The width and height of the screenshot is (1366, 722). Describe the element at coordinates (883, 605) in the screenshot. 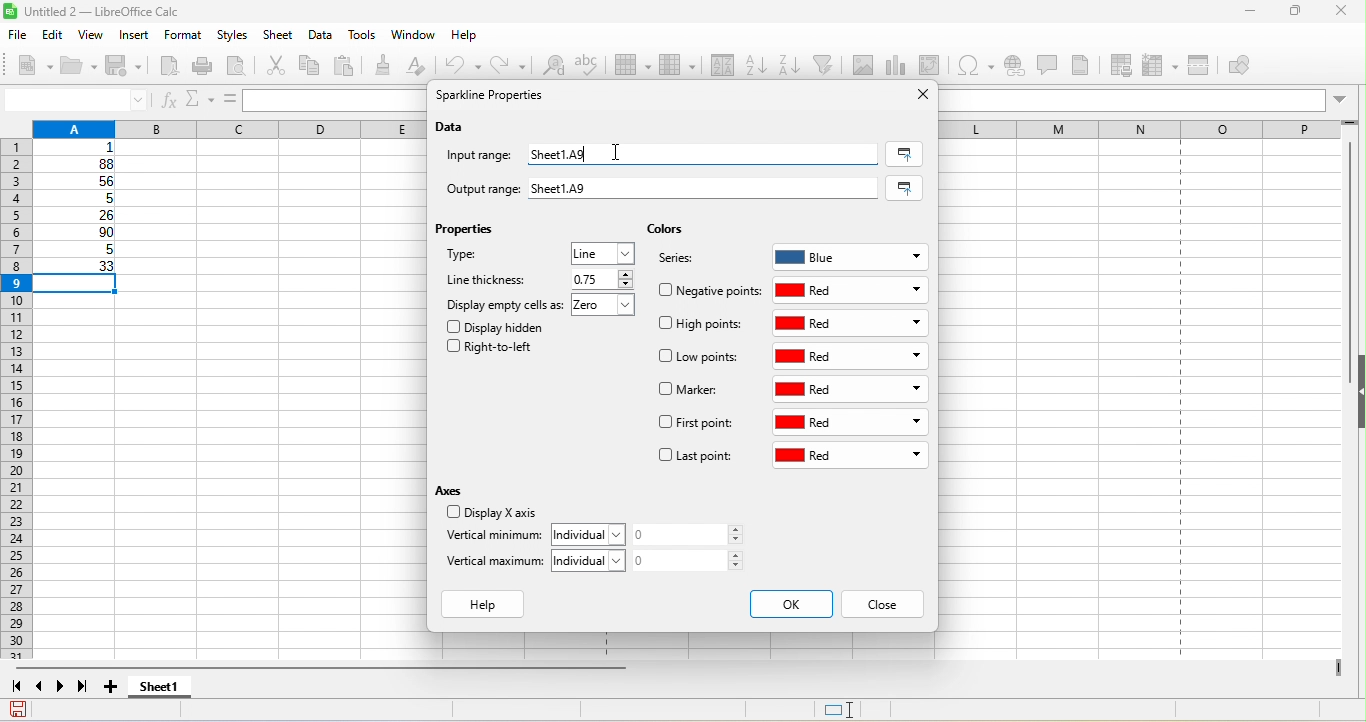

I see `close` at that location.